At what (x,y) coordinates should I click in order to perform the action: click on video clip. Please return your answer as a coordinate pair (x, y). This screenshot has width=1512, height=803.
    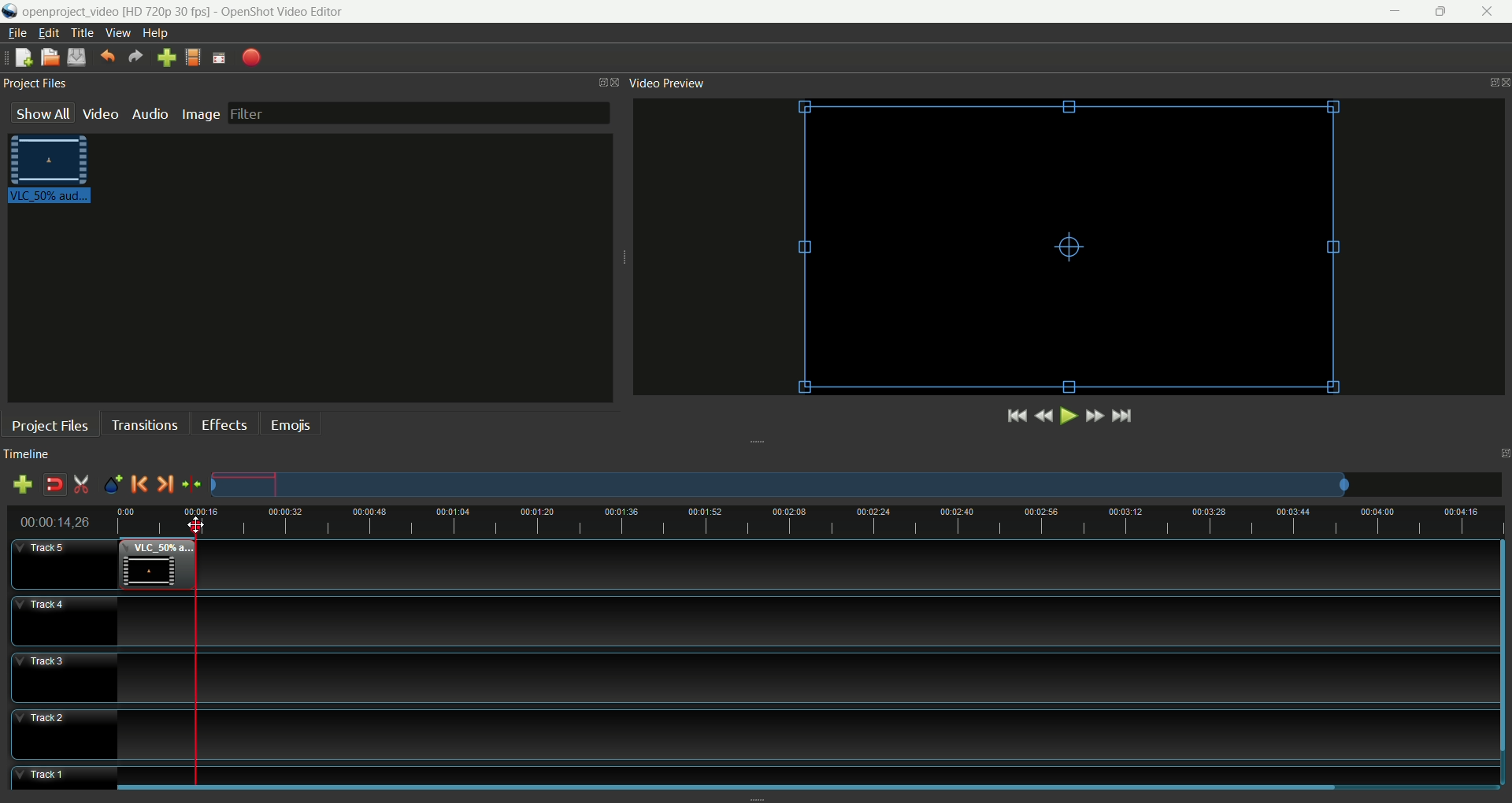
    Looking at the image, I should click on (54, 172).